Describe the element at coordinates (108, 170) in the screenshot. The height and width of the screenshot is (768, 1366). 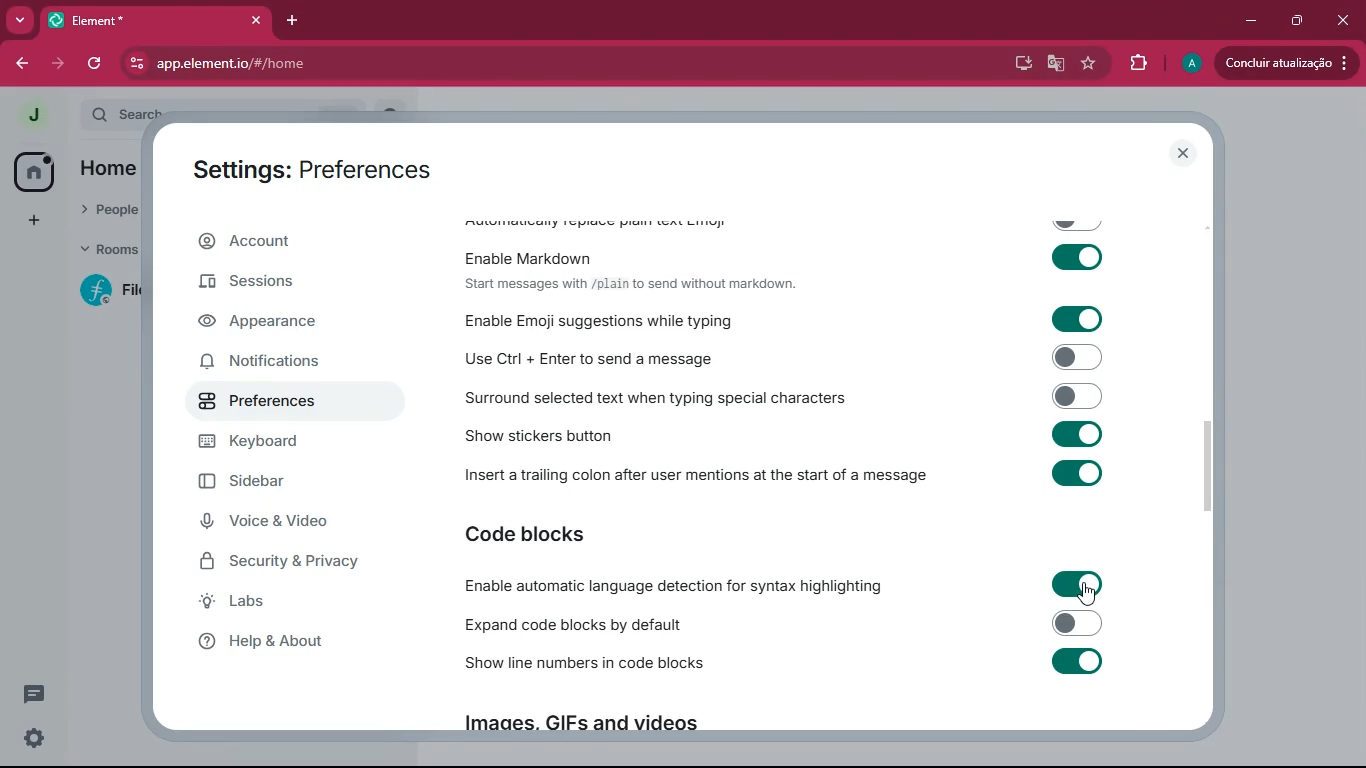
I see `home` at that location.